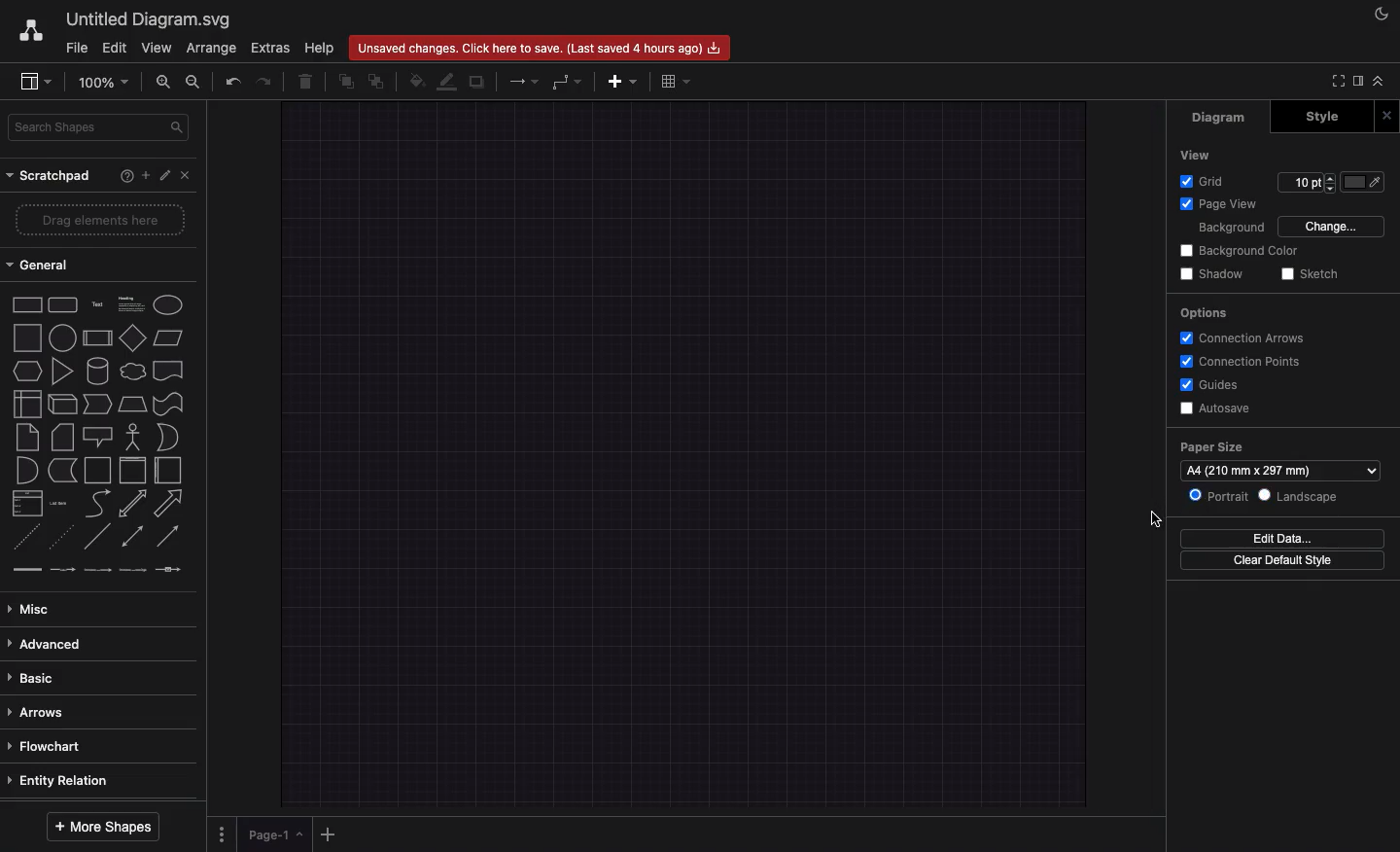 This screenshot has width=1400, height=852. What do you see at coordinates (29, 33) in the screenshot?
I see `Draw.io` at bounding box center [29, 33].